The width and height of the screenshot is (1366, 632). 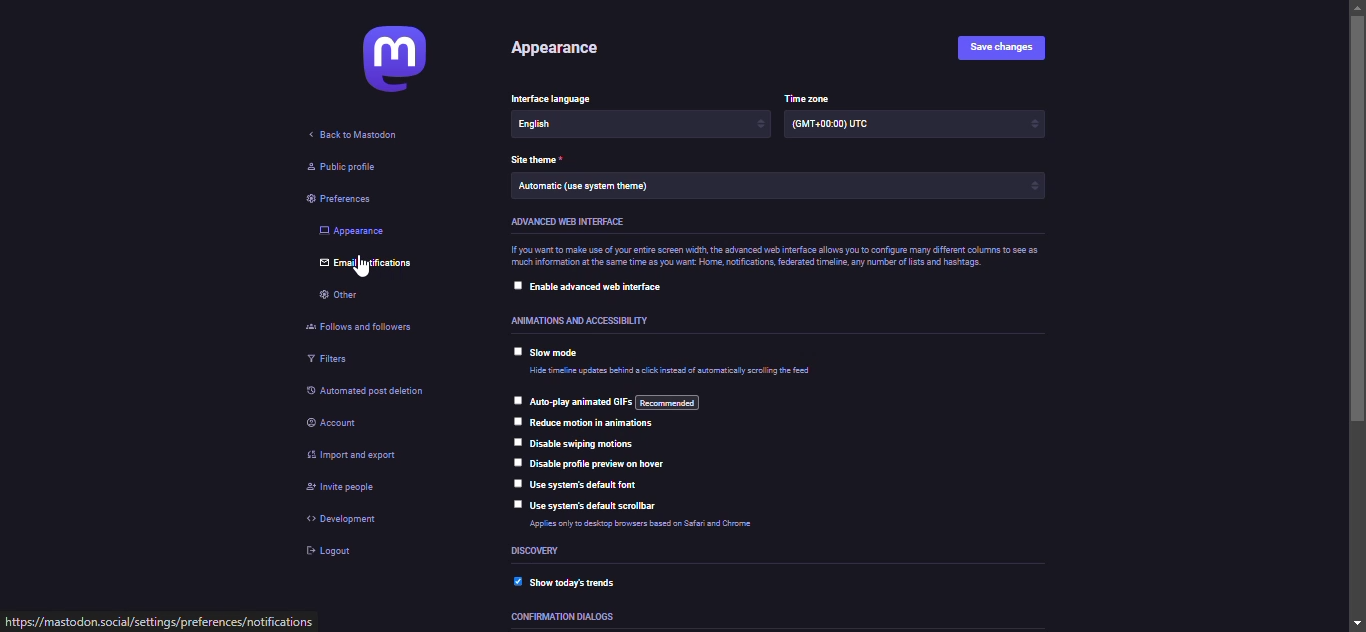 I want to click on email notifications, so click(x=376, y=266).